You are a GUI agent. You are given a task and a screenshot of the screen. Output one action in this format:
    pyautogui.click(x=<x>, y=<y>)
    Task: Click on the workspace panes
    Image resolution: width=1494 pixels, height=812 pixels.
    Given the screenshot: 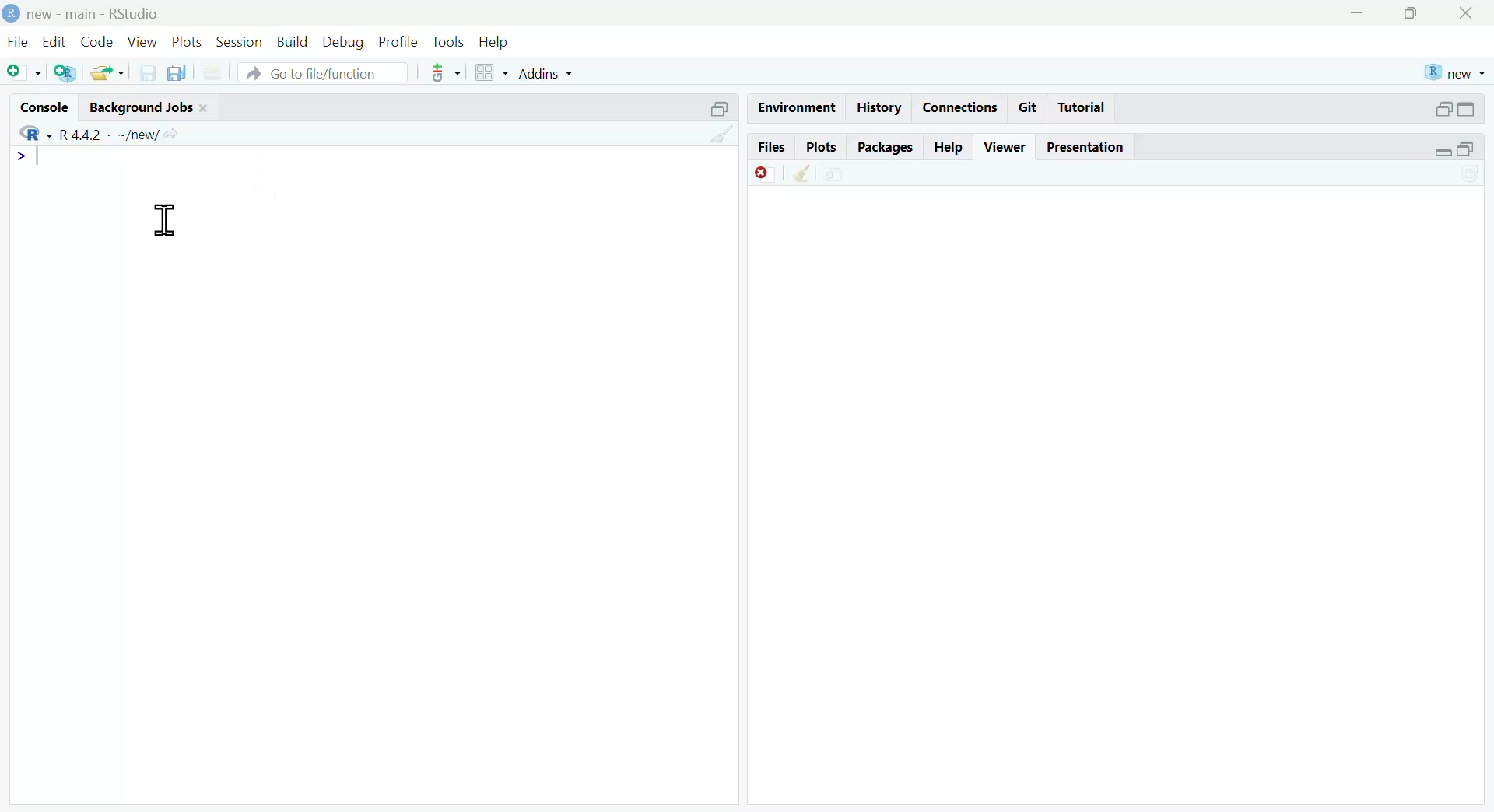 What is the action you would take?
    pyautogui.click(x=491, y=72)
    